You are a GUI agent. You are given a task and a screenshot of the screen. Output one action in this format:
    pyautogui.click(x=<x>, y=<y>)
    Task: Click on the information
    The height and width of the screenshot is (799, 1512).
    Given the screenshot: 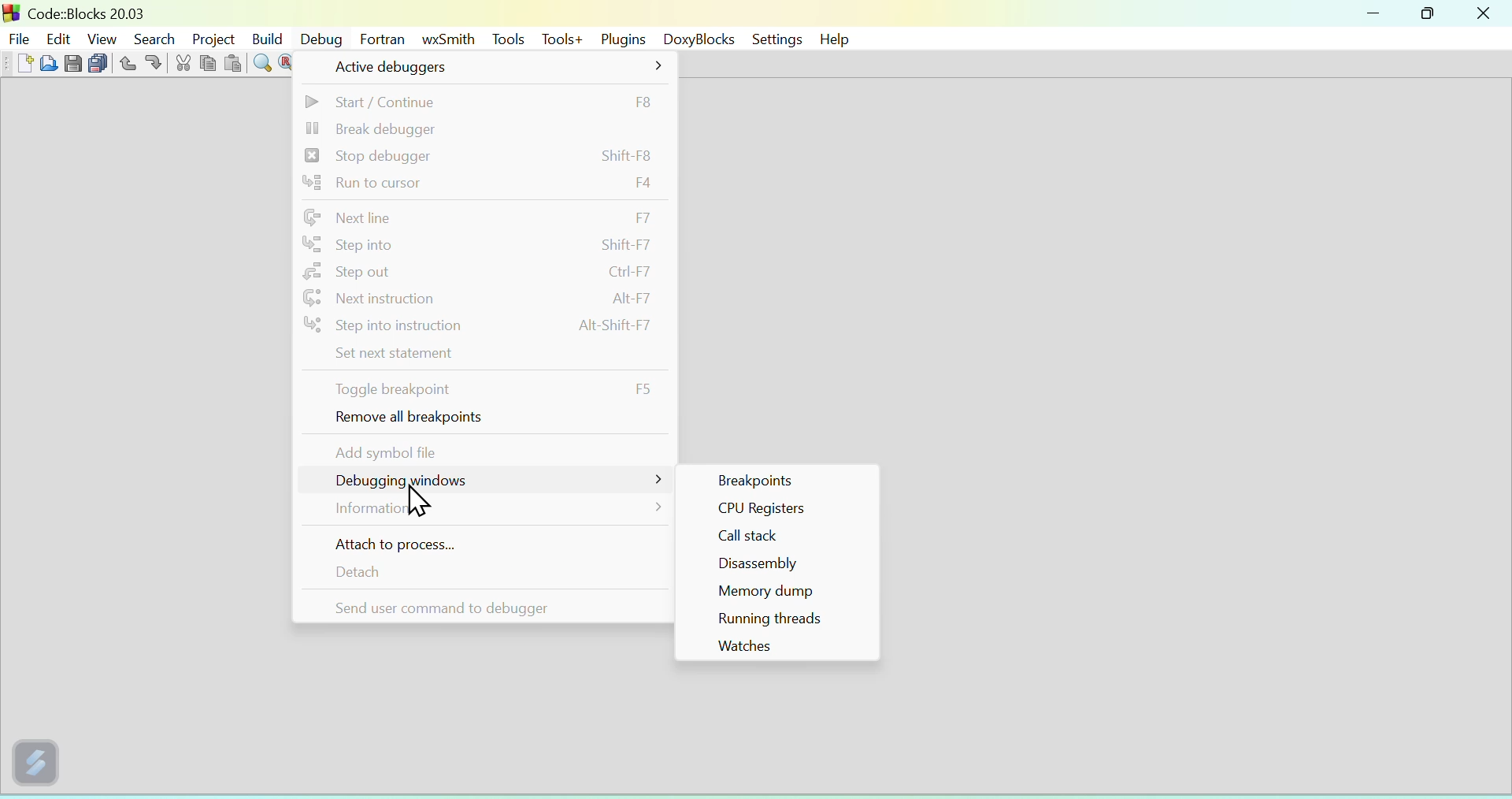 What is the action you would take?
    pyautogui.click(x=480, y=512)
    